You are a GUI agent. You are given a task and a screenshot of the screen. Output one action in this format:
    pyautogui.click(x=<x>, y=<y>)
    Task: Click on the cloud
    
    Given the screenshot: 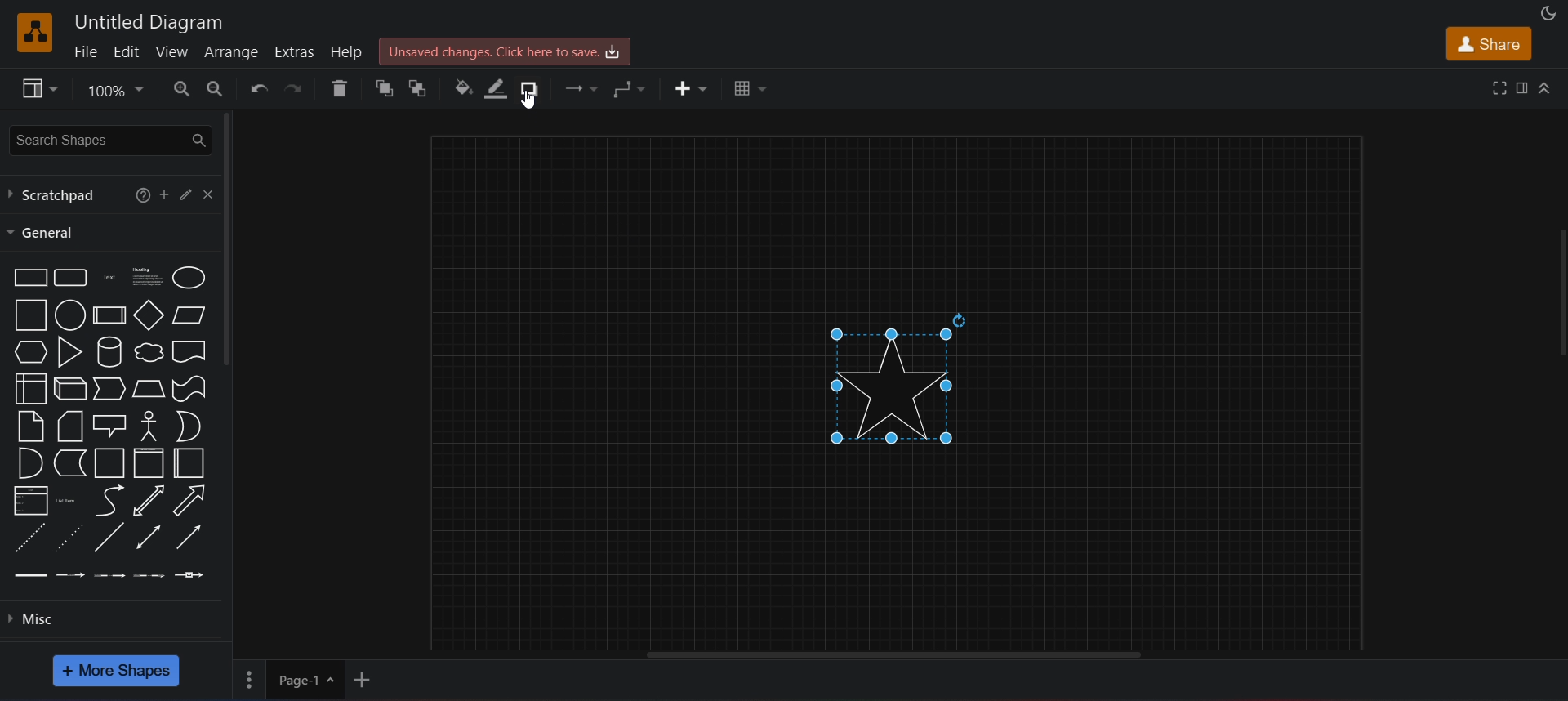 What is the action you would take?
    pyautogui.click(x=146, y=352)
    